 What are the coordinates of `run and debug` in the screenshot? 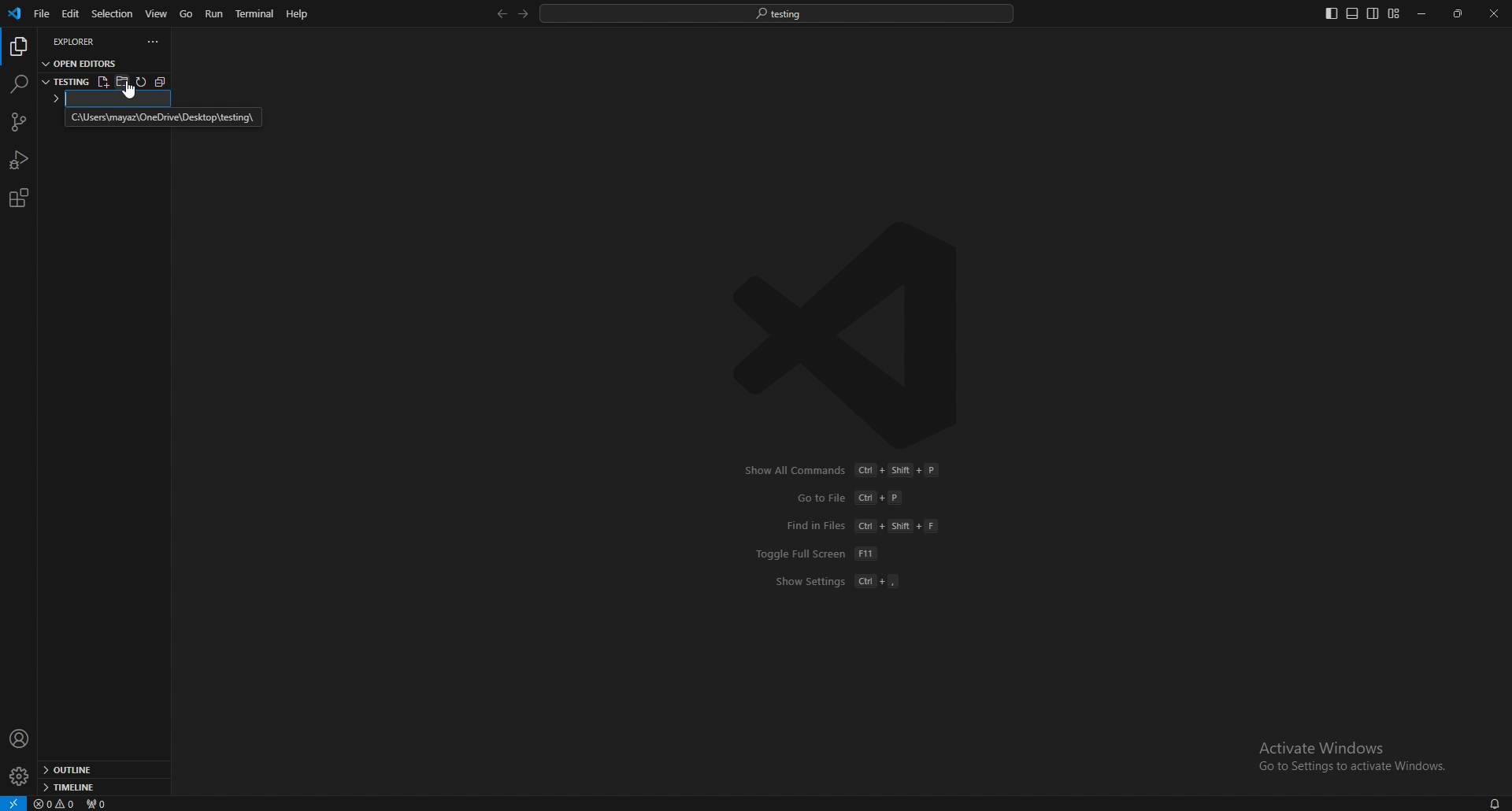 It's located at (20, 160).